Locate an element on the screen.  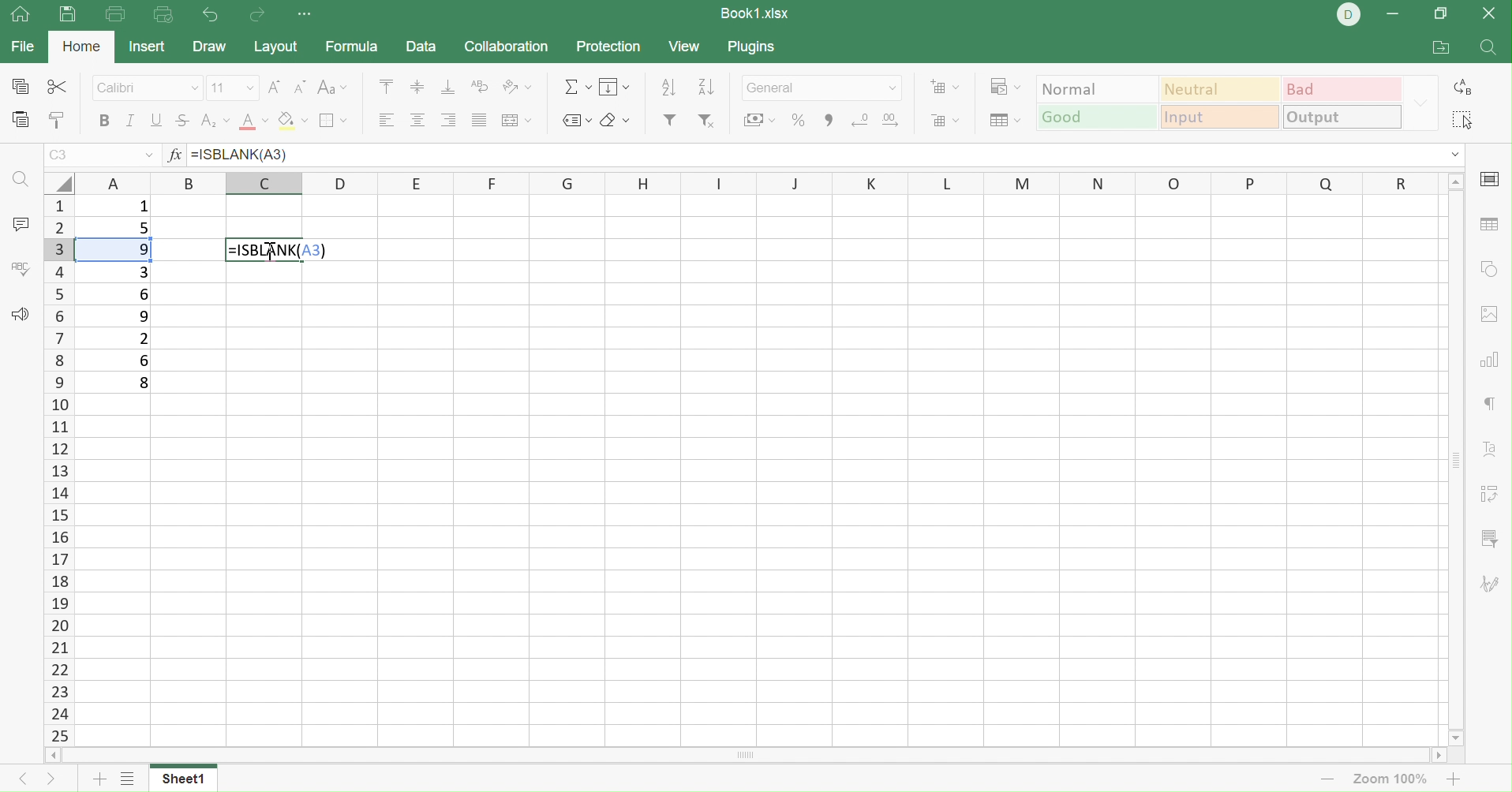
Quick print is located at coordinates (163, 15).